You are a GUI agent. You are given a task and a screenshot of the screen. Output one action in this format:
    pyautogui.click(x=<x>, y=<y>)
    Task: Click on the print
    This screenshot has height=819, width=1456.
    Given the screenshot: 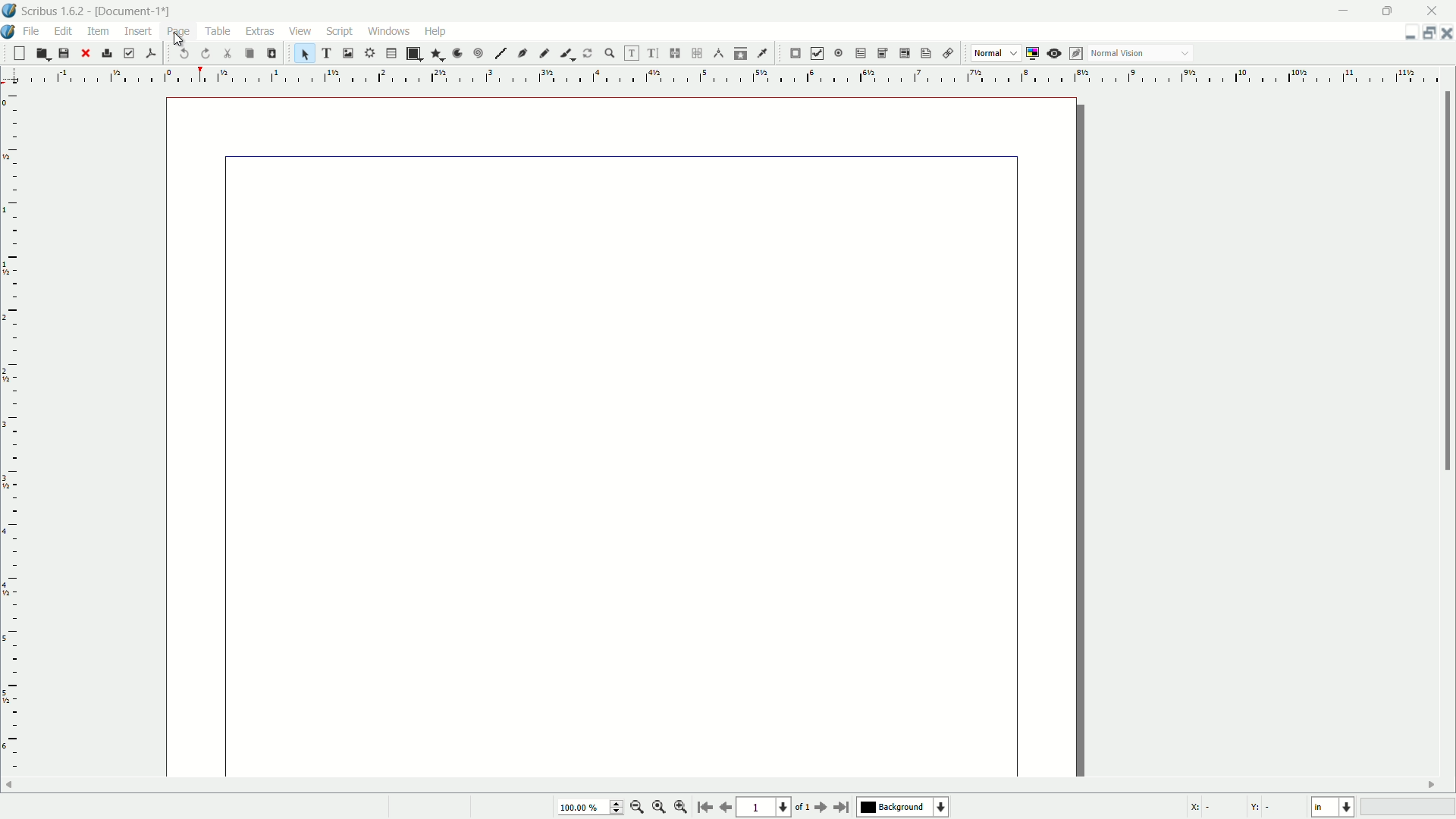 What is the action you would take?
    pyautogui.click(x=107, y=53)
    